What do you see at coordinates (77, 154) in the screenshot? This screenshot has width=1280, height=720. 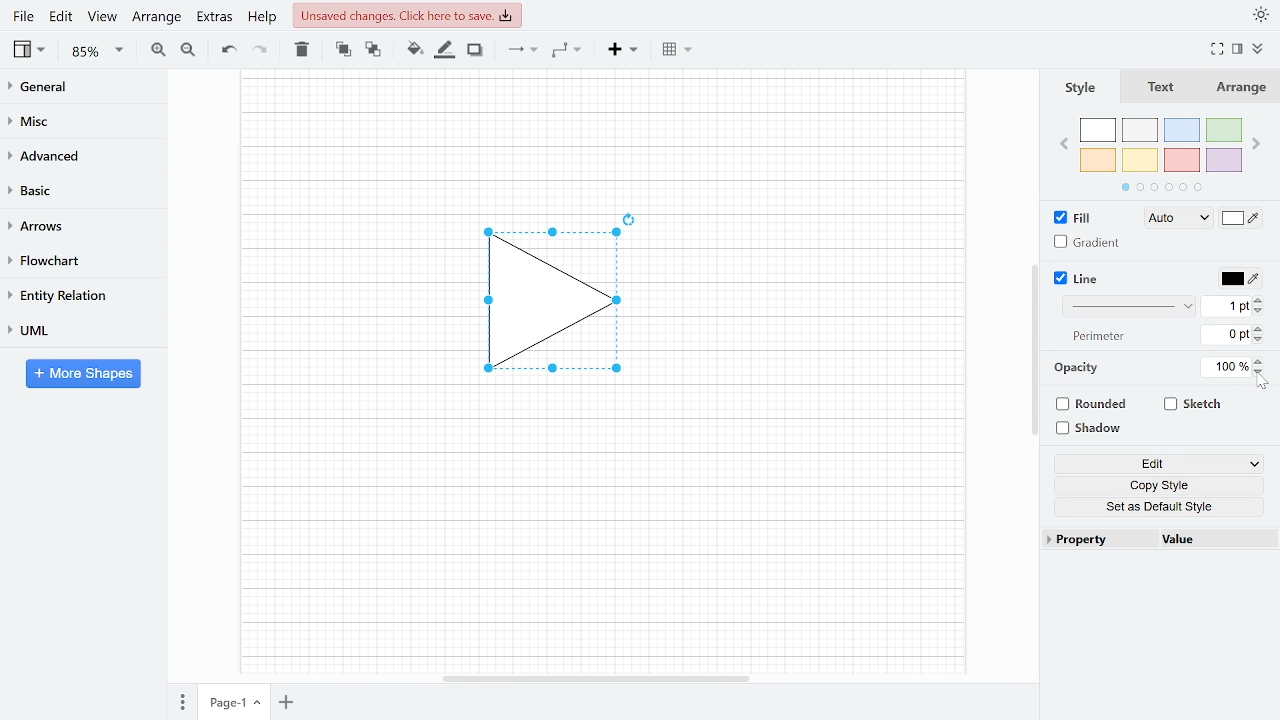 I see `Advanced` at bounding box center [77, 154].